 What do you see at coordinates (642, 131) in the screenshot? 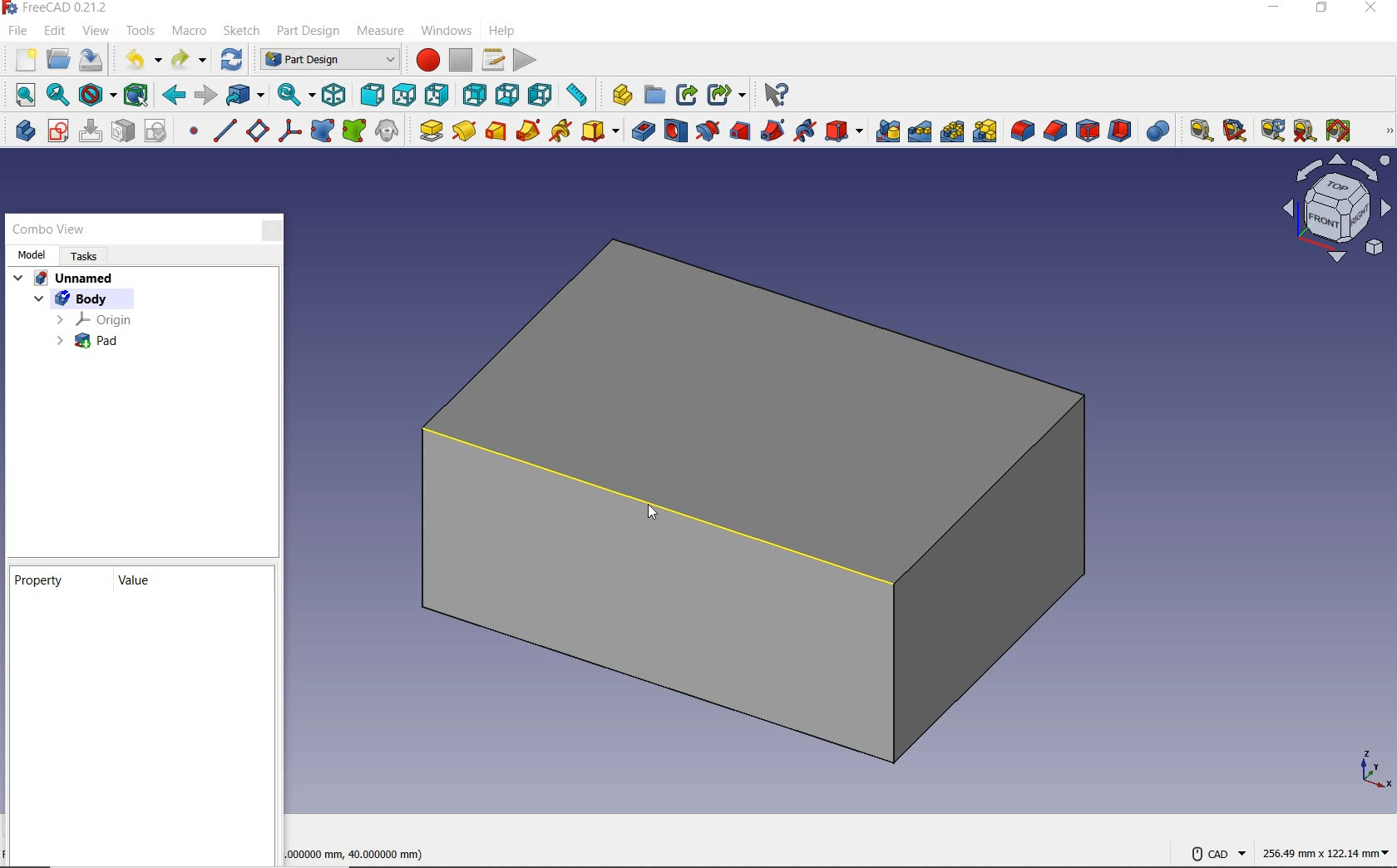
I see `pocket` at bounding box center [642, 131].